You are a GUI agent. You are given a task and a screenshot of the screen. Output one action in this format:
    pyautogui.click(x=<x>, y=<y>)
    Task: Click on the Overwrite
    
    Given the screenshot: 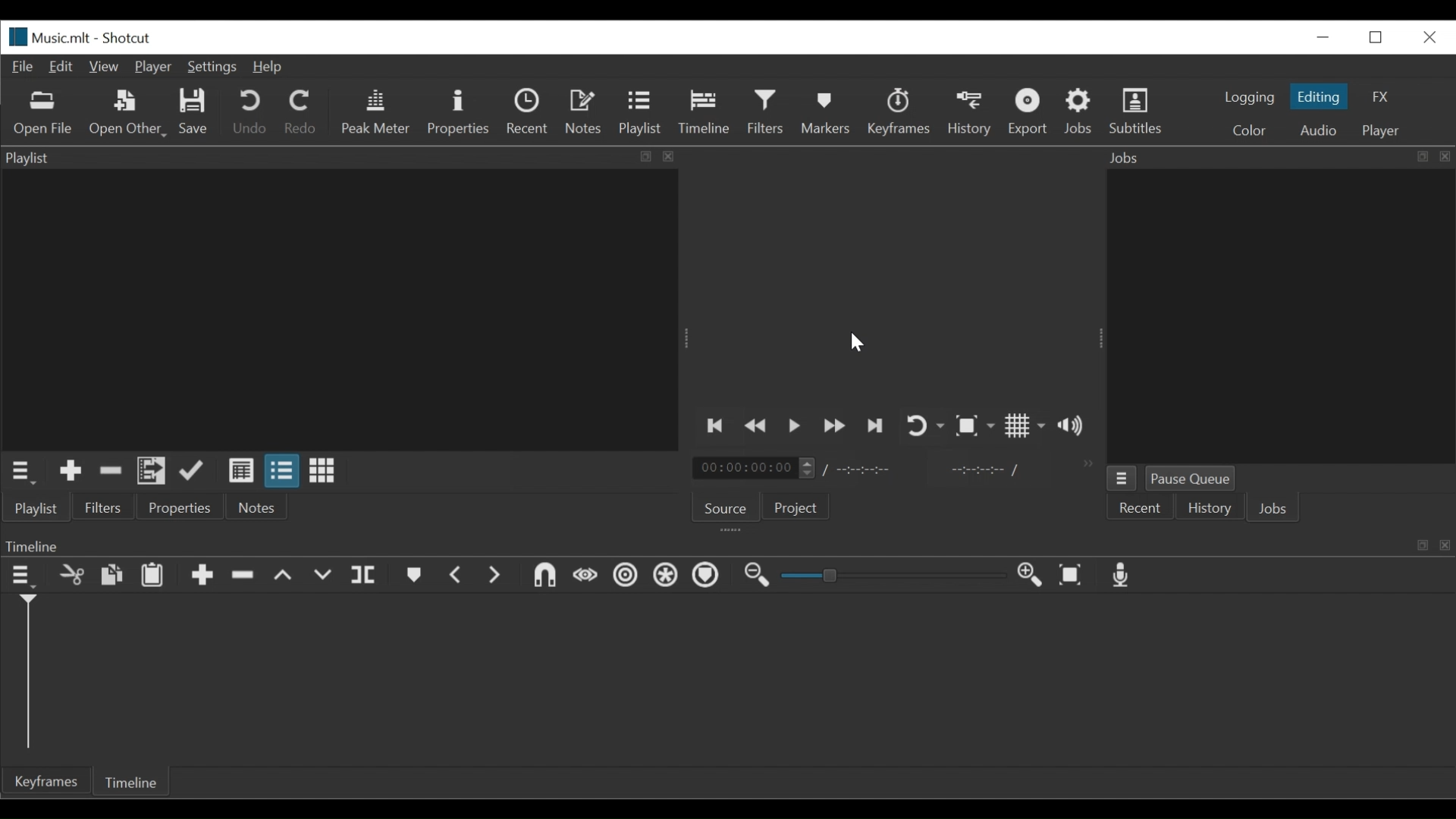 What is the action you would take?
    pyautogui.click(x=322, y=576)
    